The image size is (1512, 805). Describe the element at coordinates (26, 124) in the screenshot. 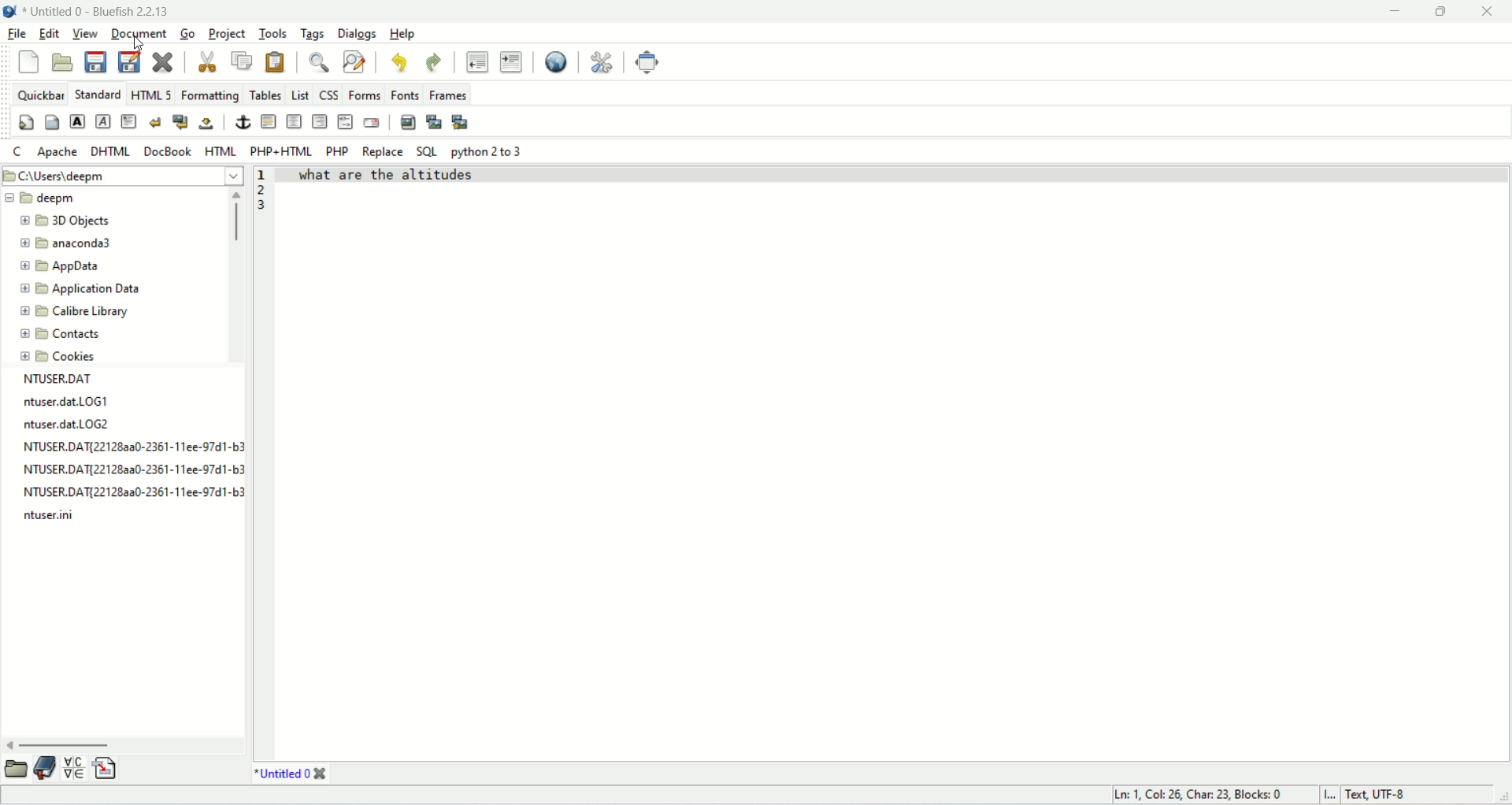

I see `quickstart` at that location.